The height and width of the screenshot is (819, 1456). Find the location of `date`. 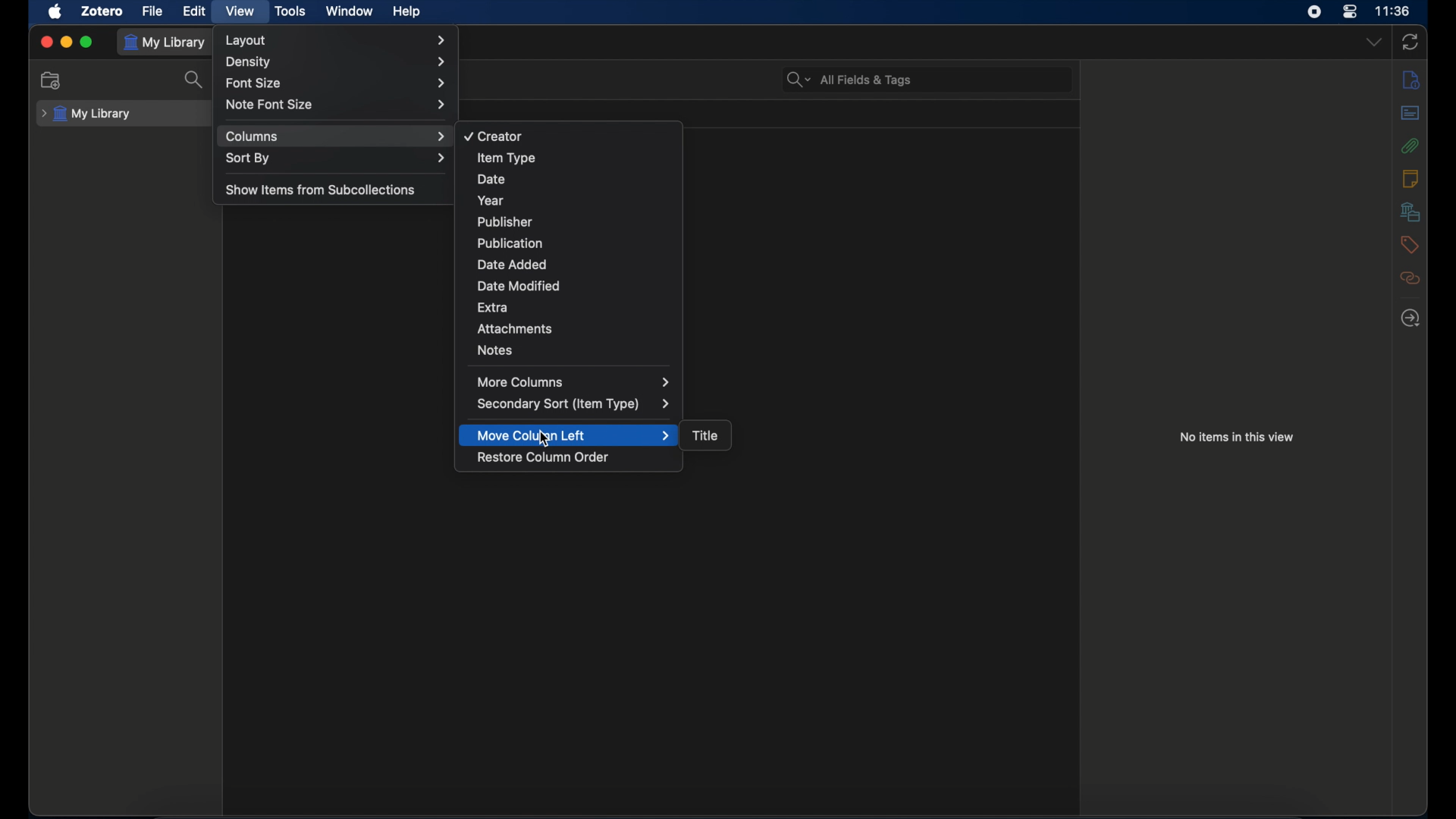

date is located at coordinates (491, 179).